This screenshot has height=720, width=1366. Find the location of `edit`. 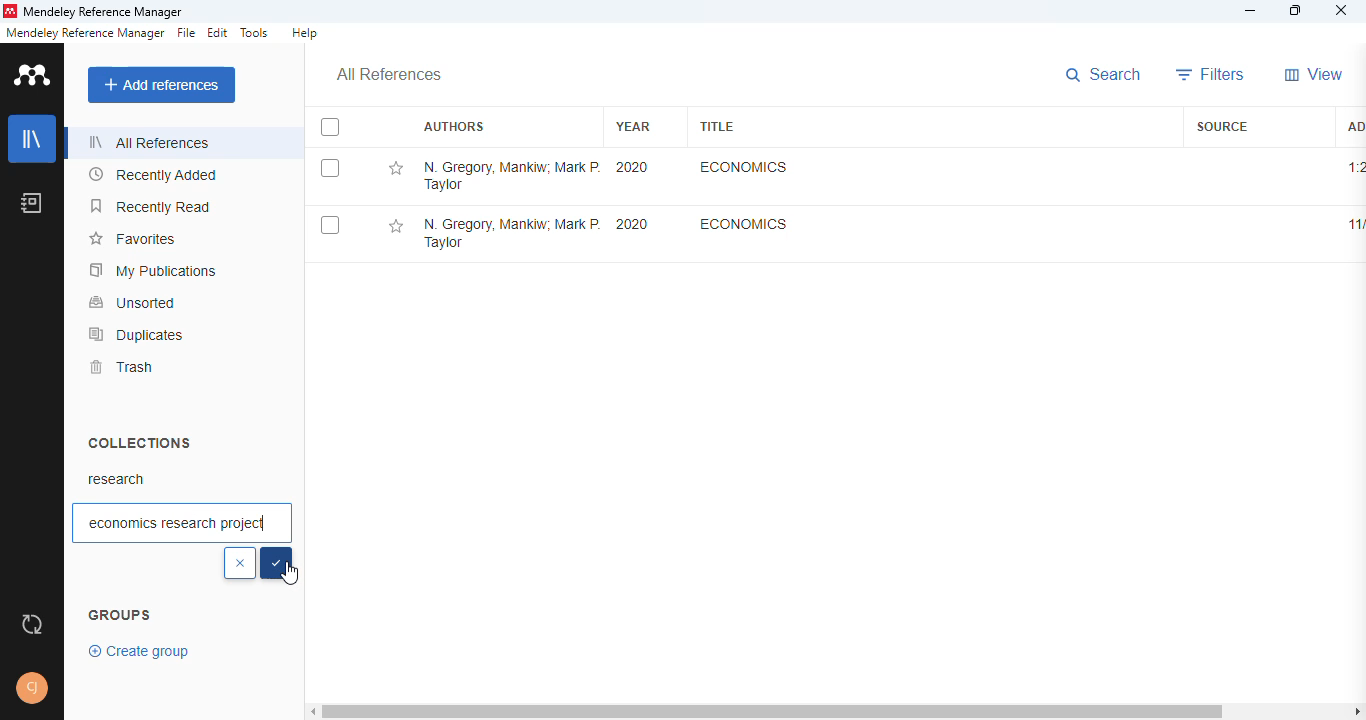

edit is located at coordinates (219, 33).